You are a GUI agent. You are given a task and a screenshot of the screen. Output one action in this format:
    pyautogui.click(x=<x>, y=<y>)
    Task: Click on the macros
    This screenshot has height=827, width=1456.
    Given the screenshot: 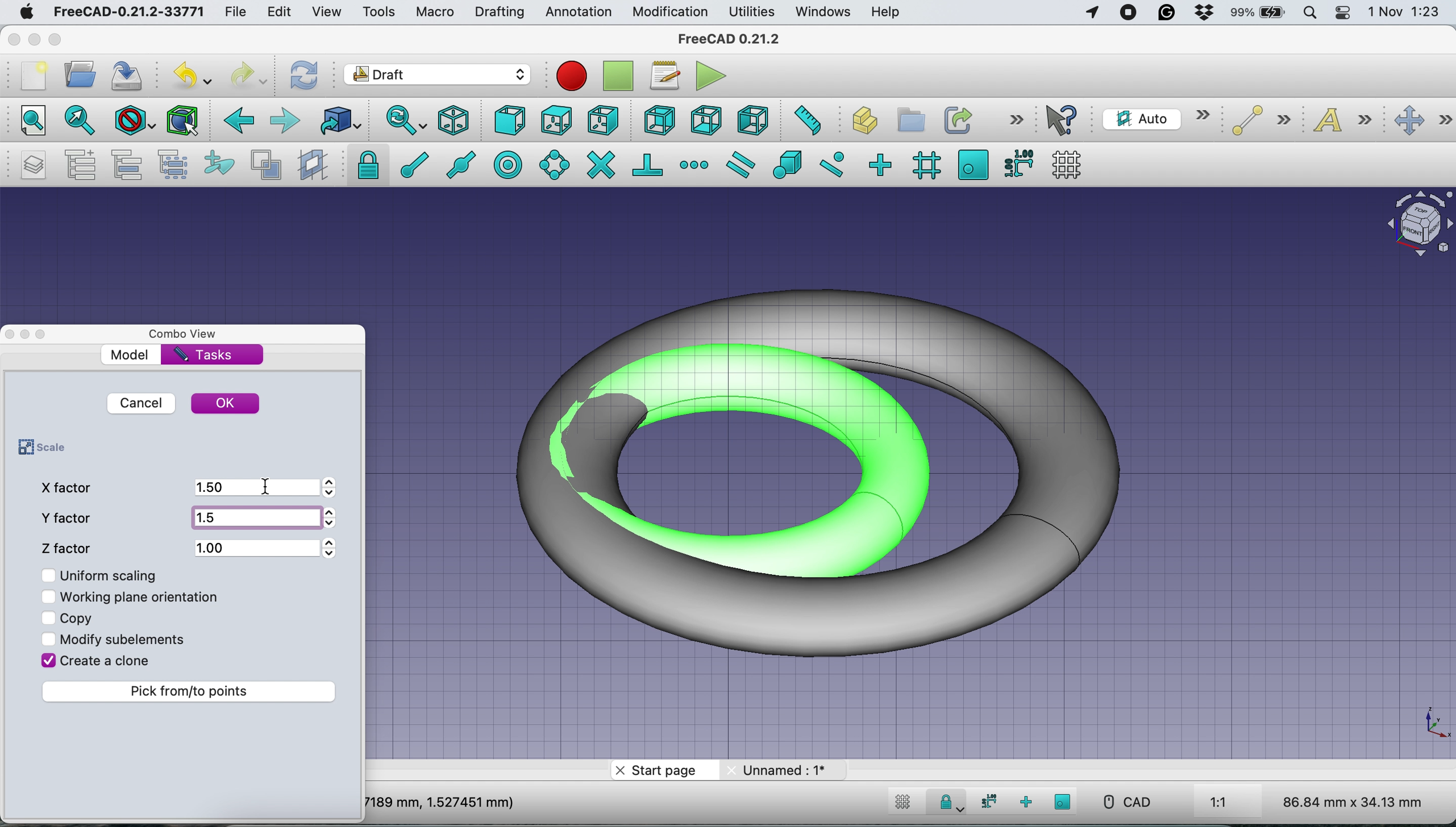 What is the action you would take?
    pyautogui.click(x=664, y=79)
    